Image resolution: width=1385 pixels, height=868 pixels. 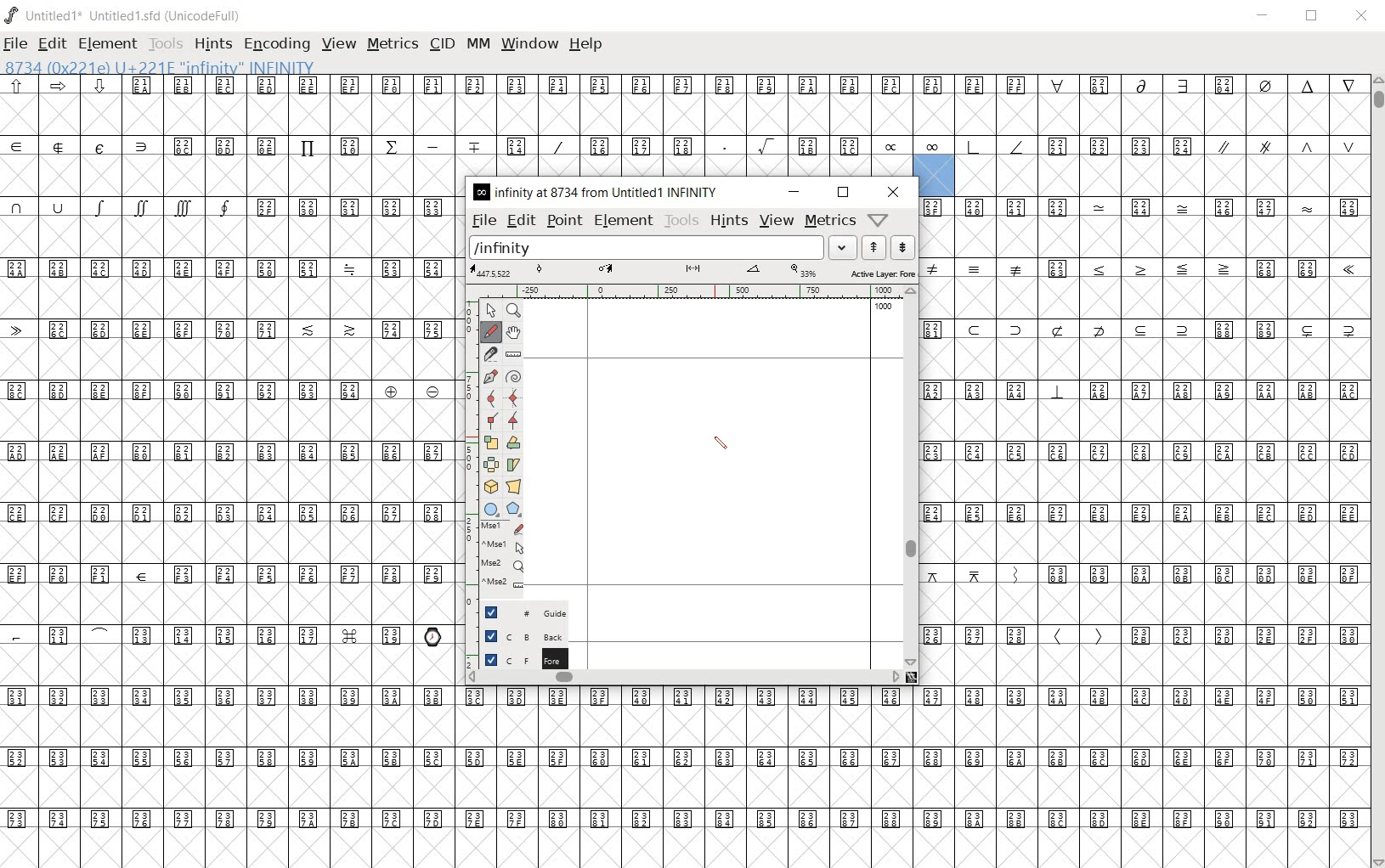 What do you see at coordinates (520, 219) in the screenshot?
I see `edit` at bounding box center [520, 219].